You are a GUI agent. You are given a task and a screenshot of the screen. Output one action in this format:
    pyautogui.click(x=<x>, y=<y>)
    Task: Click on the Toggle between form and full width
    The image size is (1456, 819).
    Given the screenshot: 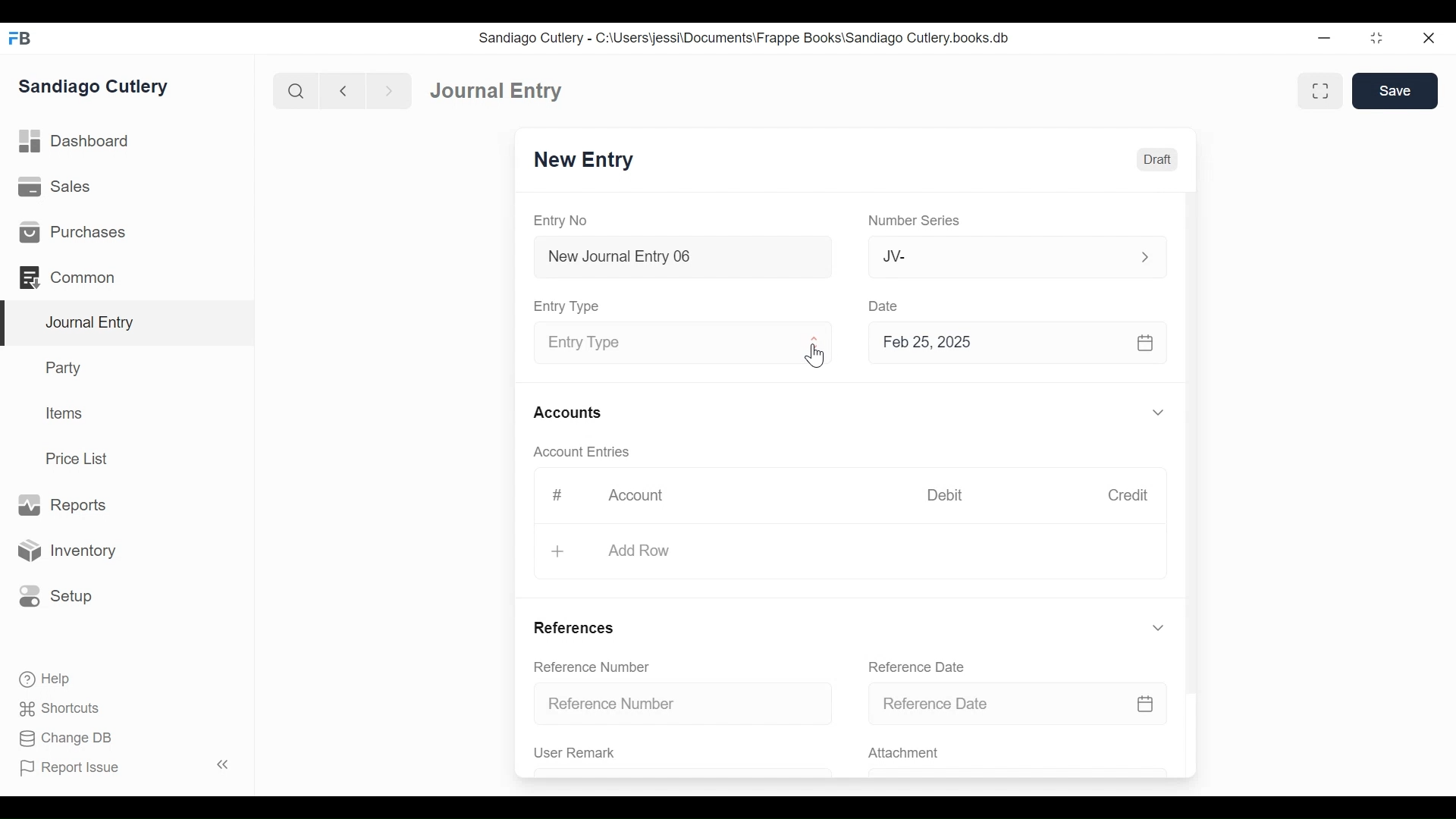 What is the action you would take?
    pyautogui.click(x=1320, y=91)
    